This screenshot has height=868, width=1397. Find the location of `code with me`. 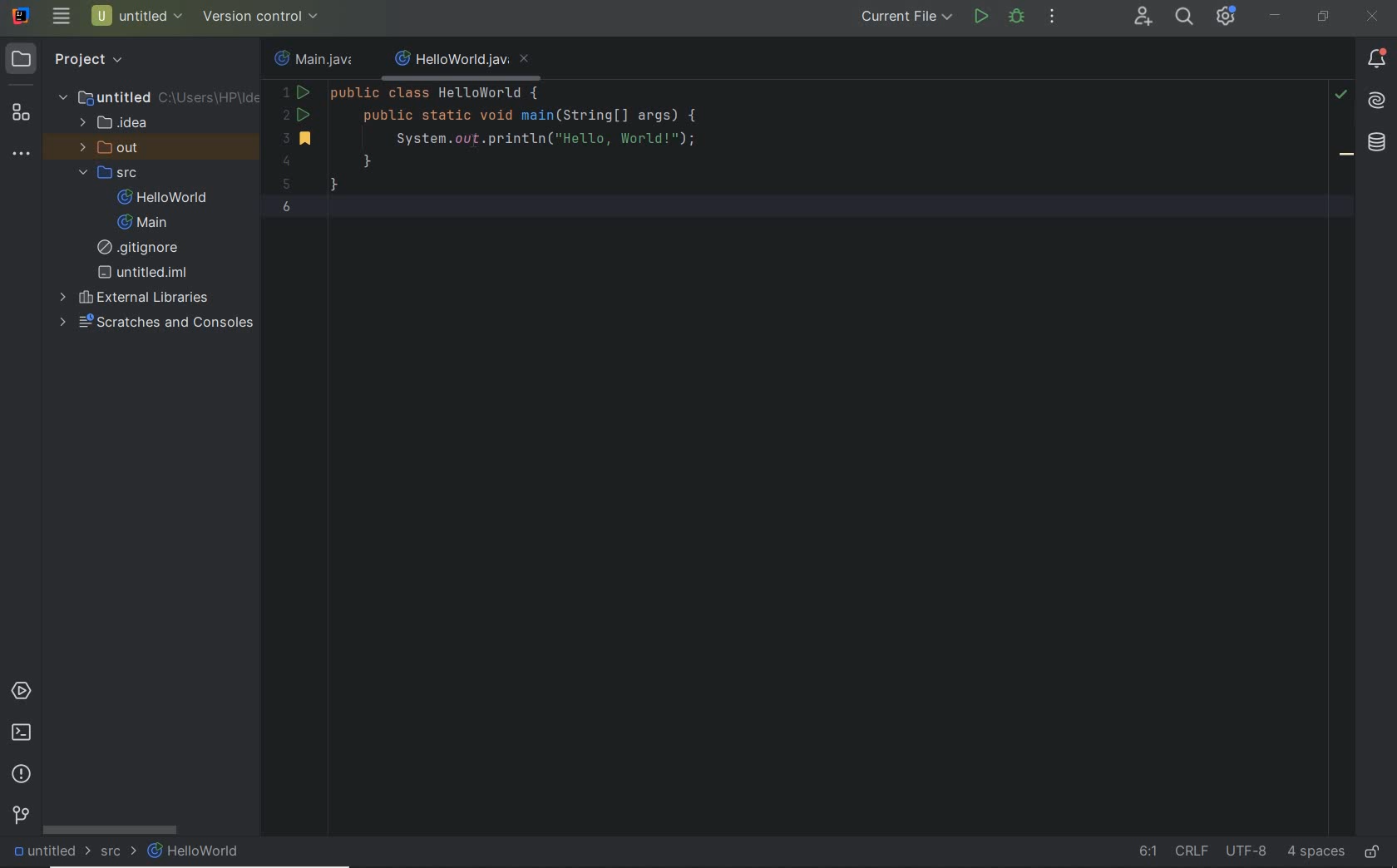

code with me is located at coordinates (1143, 19).